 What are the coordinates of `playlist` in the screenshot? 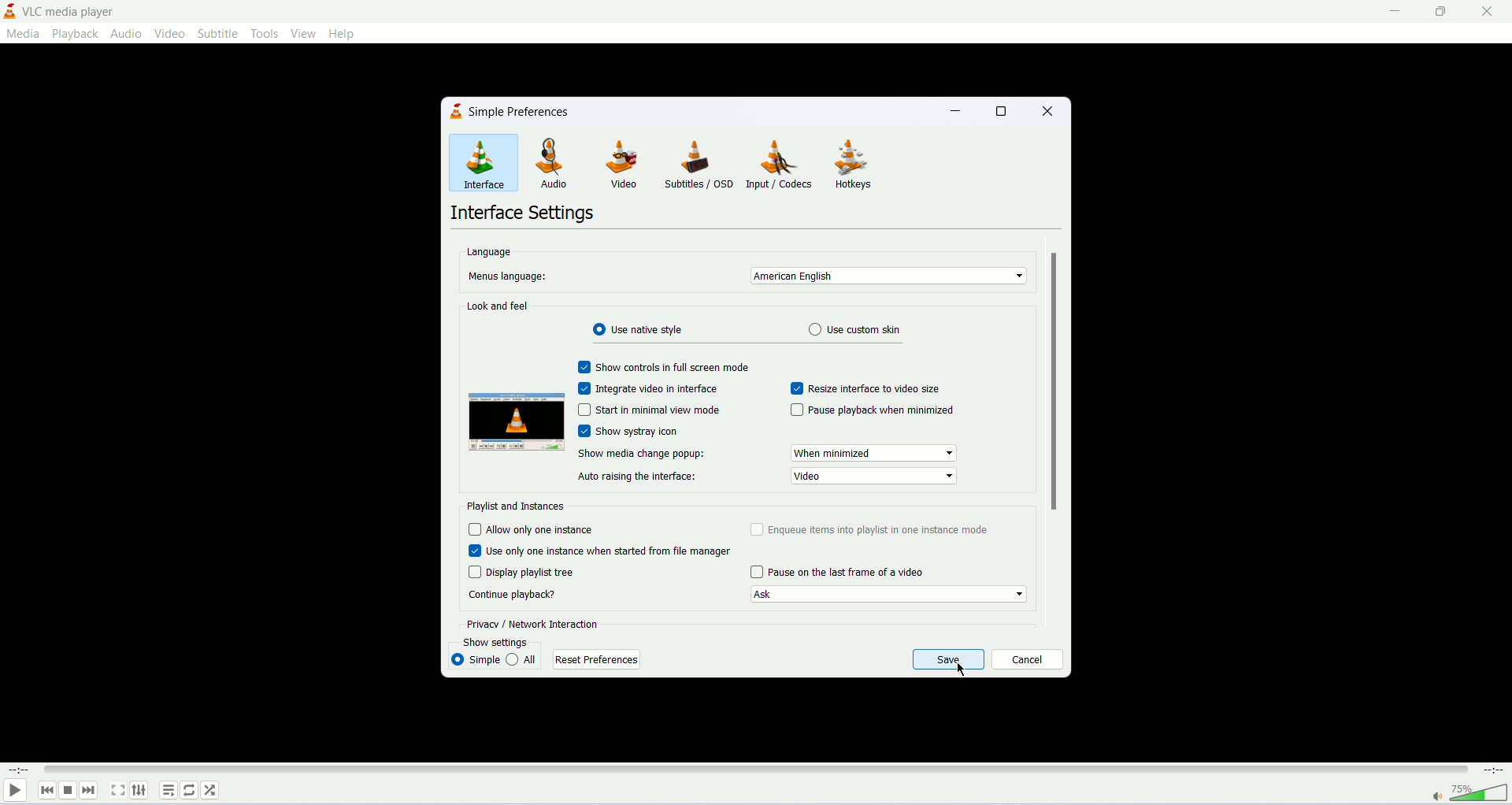 It's located at (168, 790).